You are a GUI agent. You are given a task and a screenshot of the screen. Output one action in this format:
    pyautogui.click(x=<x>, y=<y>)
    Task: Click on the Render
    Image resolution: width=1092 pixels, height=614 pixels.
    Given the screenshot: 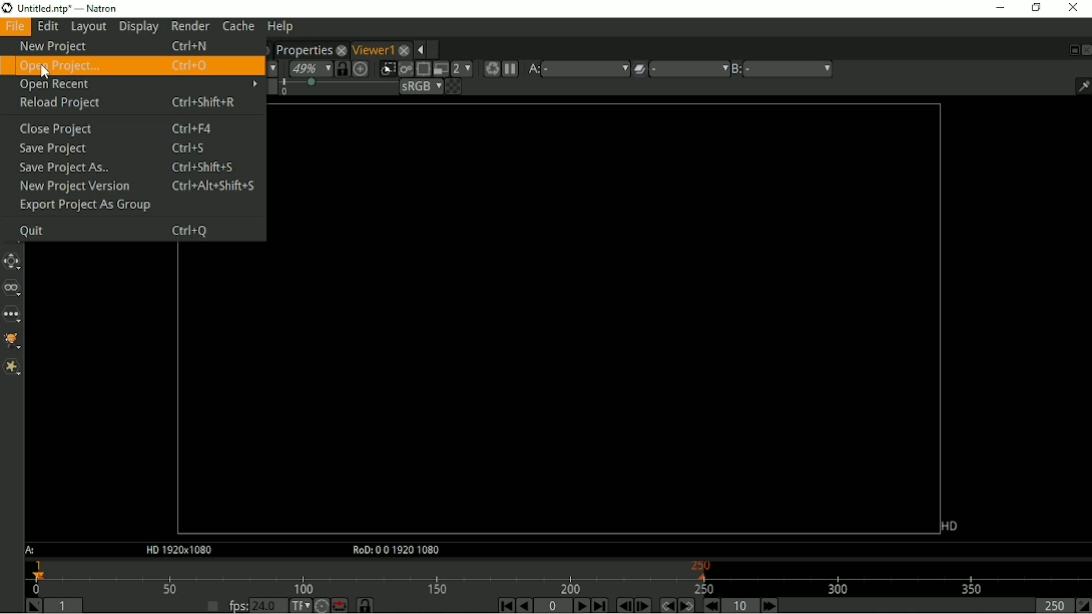 What is the action you would take?
    pyautogui.click(x=490, y=69)
    